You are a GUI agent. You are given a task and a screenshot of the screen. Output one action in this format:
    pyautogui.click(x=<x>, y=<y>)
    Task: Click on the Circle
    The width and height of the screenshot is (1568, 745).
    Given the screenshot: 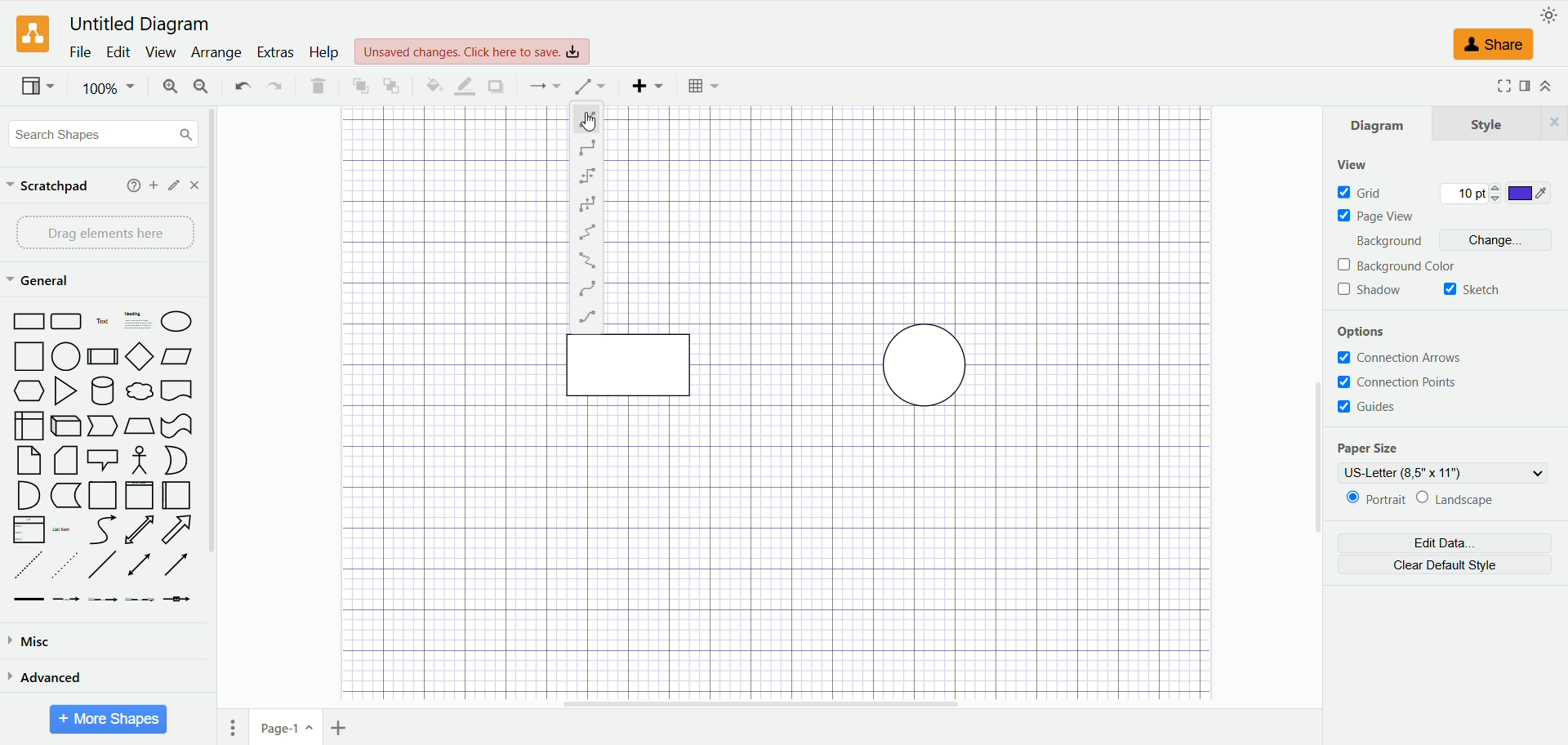 What is the action you would take?
    pyautogui.click(x=69, y=356)
    